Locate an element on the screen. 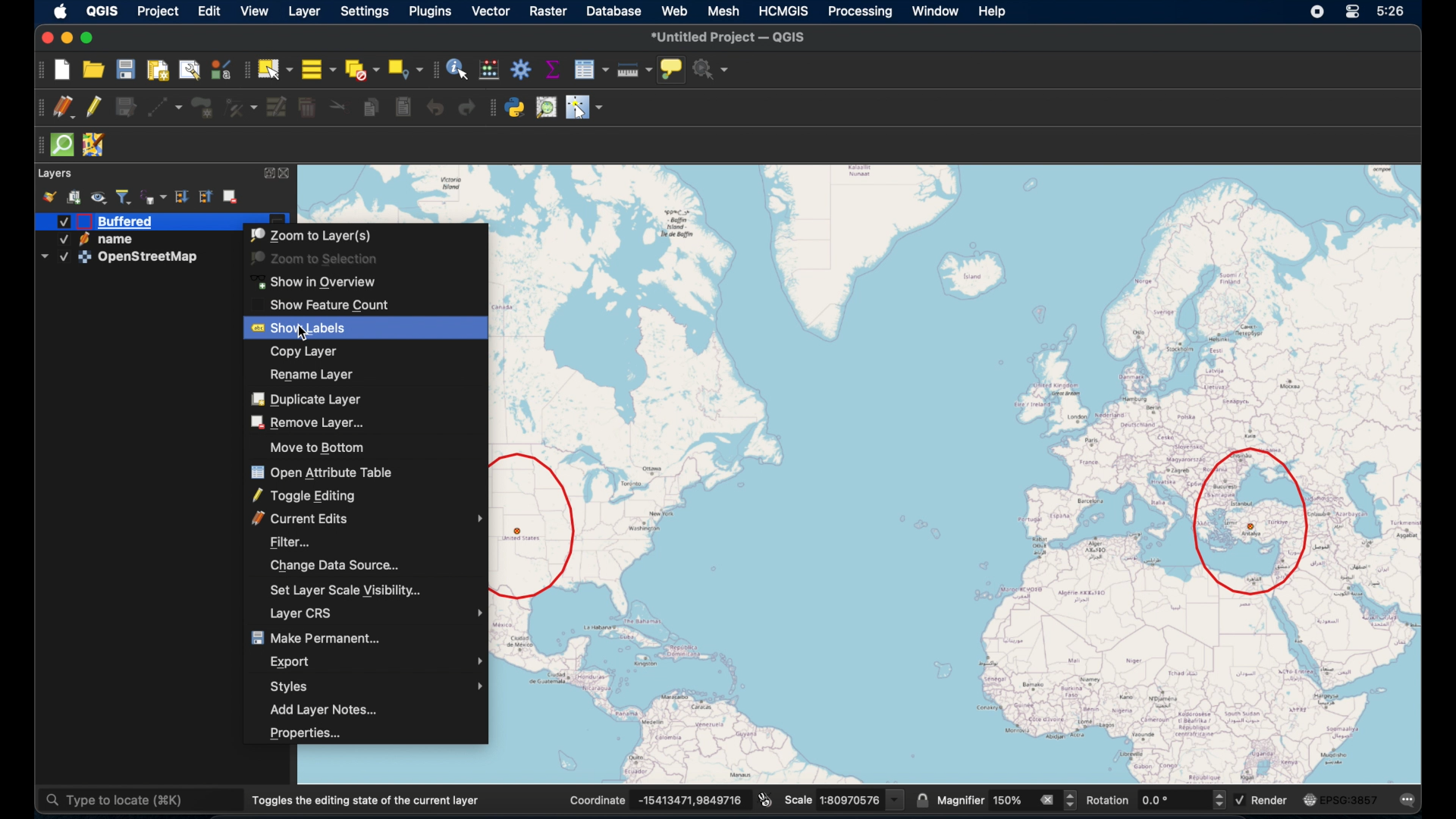 The height and width of the screenshot is (819, 1456). show in overview is located at coordinates (319, 281).